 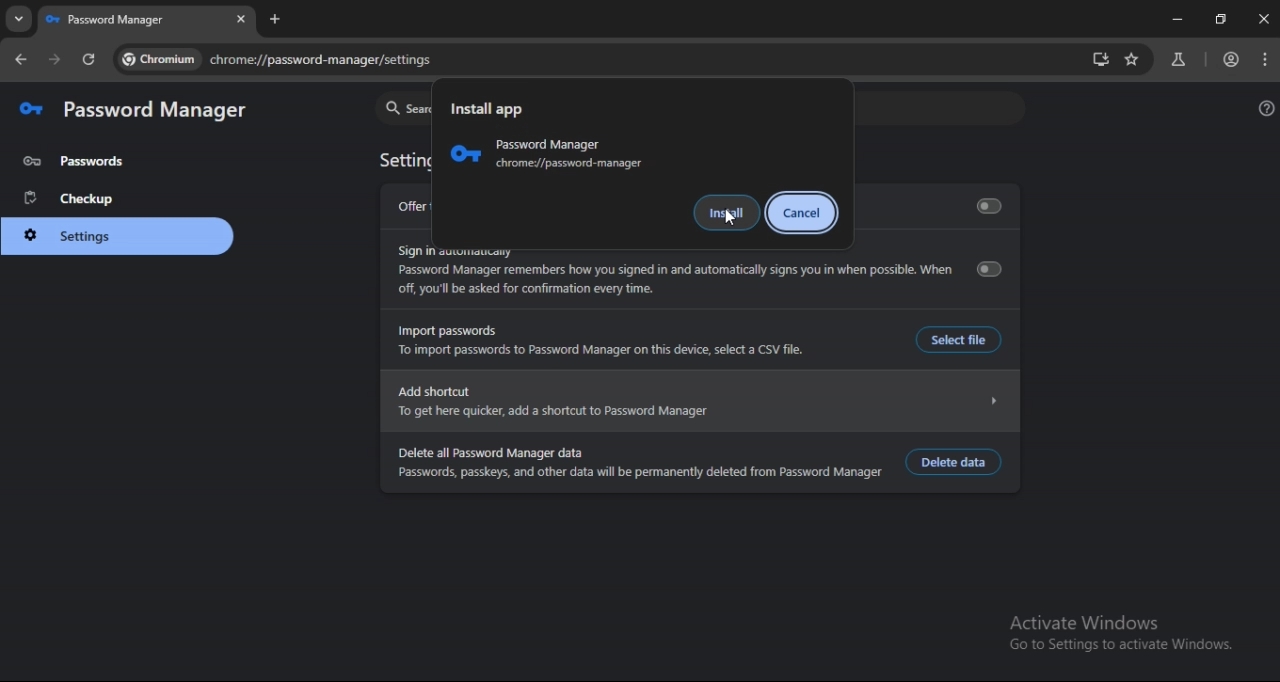 I want to click on delete data, so click(x=954, y=462).